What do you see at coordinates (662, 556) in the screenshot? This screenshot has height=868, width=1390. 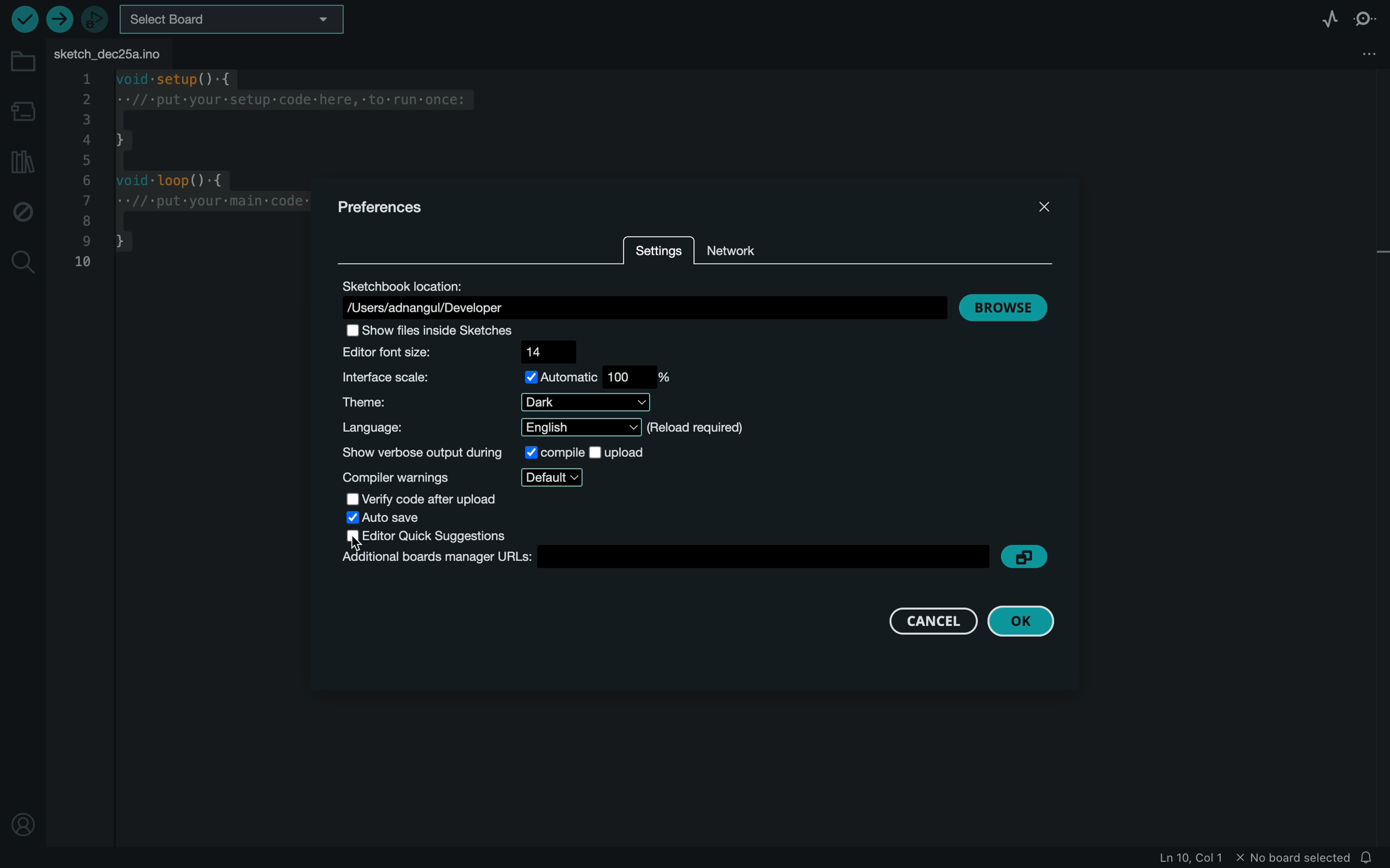 I see `additional  board` at bounding box center [662, 556].